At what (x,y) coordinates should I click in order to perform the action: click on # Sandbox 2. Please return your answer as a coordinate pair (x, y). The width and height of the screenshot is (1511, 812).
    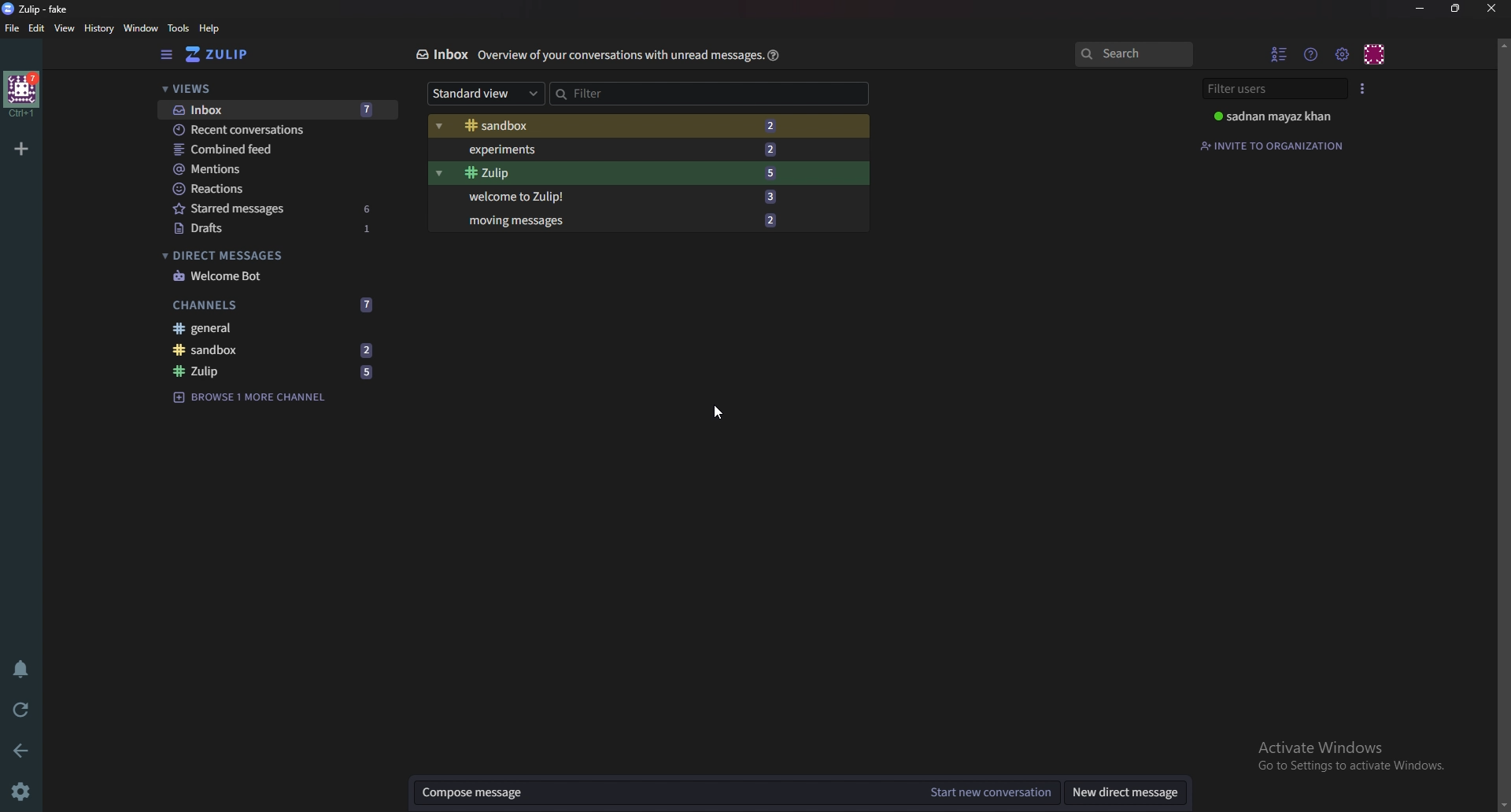
    Looking at the image, I should click on (276, 351).